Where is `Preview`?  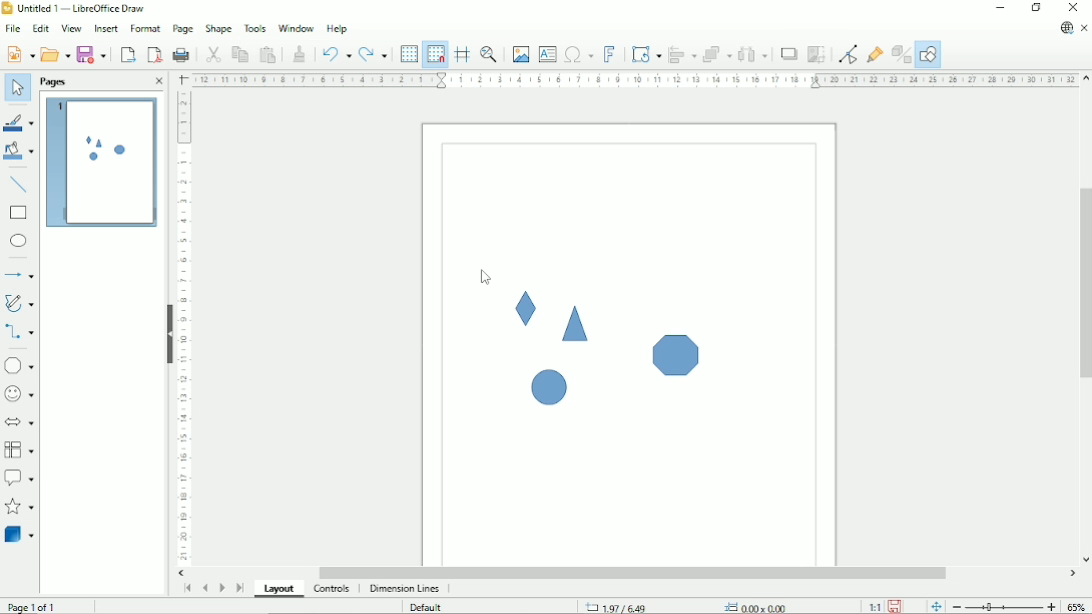
Preview is located at coordinates (101, 164).